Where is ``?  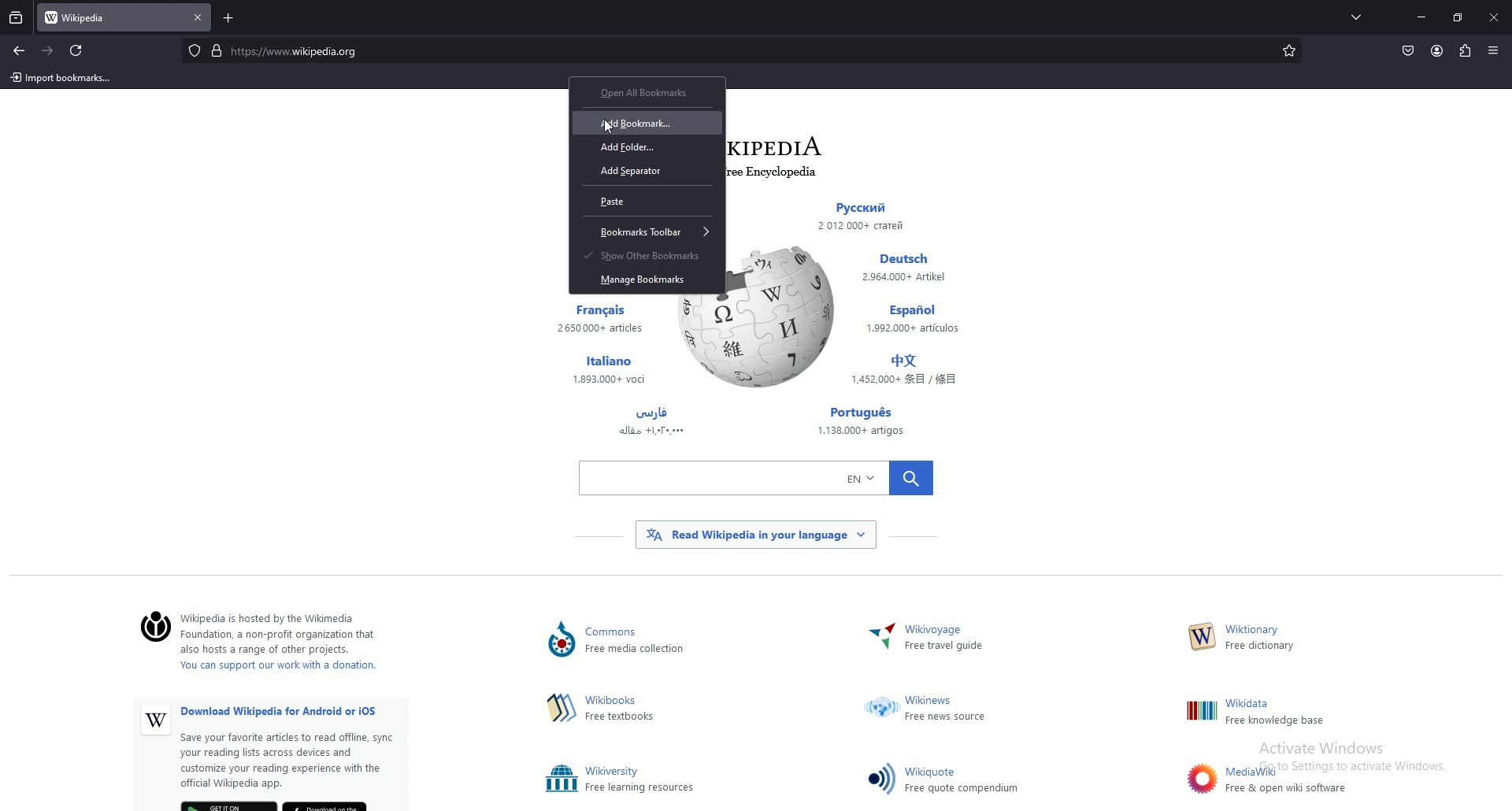  is located at coordinates (965, 781).